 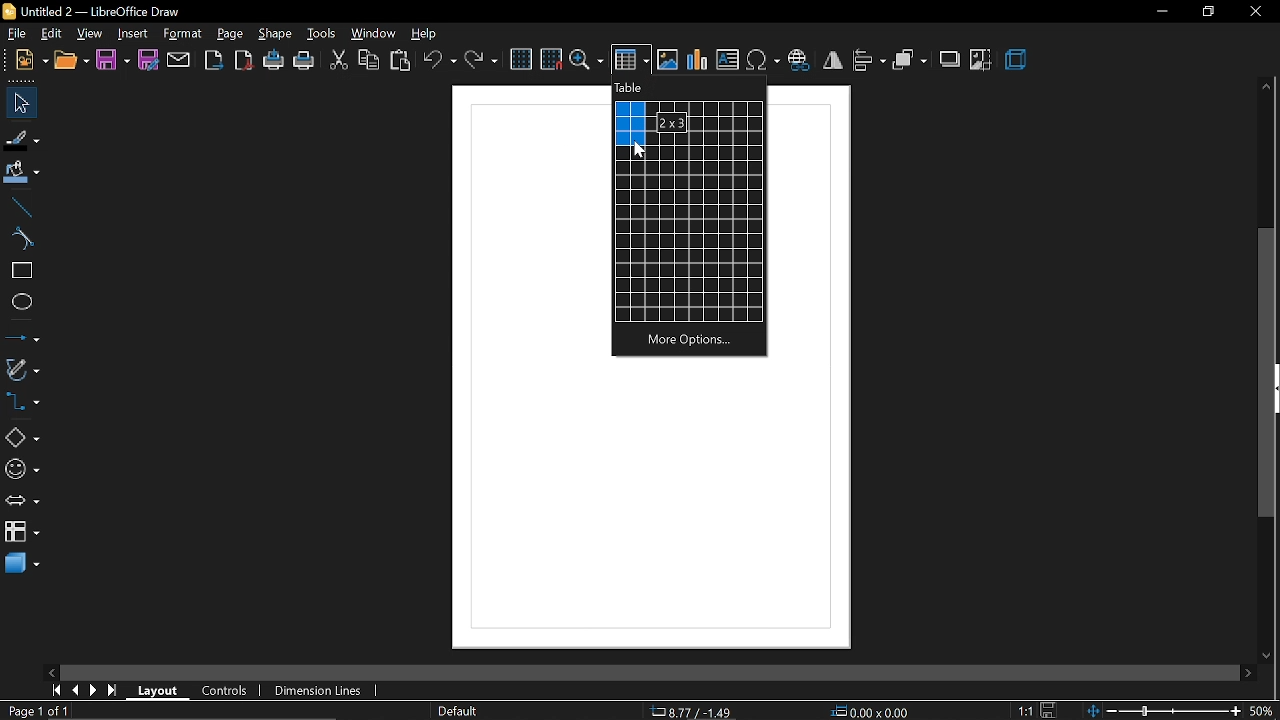 What do you see at coordinates (182, 34) in the screenshot?
I see `format` at bounding box center [182, 34].